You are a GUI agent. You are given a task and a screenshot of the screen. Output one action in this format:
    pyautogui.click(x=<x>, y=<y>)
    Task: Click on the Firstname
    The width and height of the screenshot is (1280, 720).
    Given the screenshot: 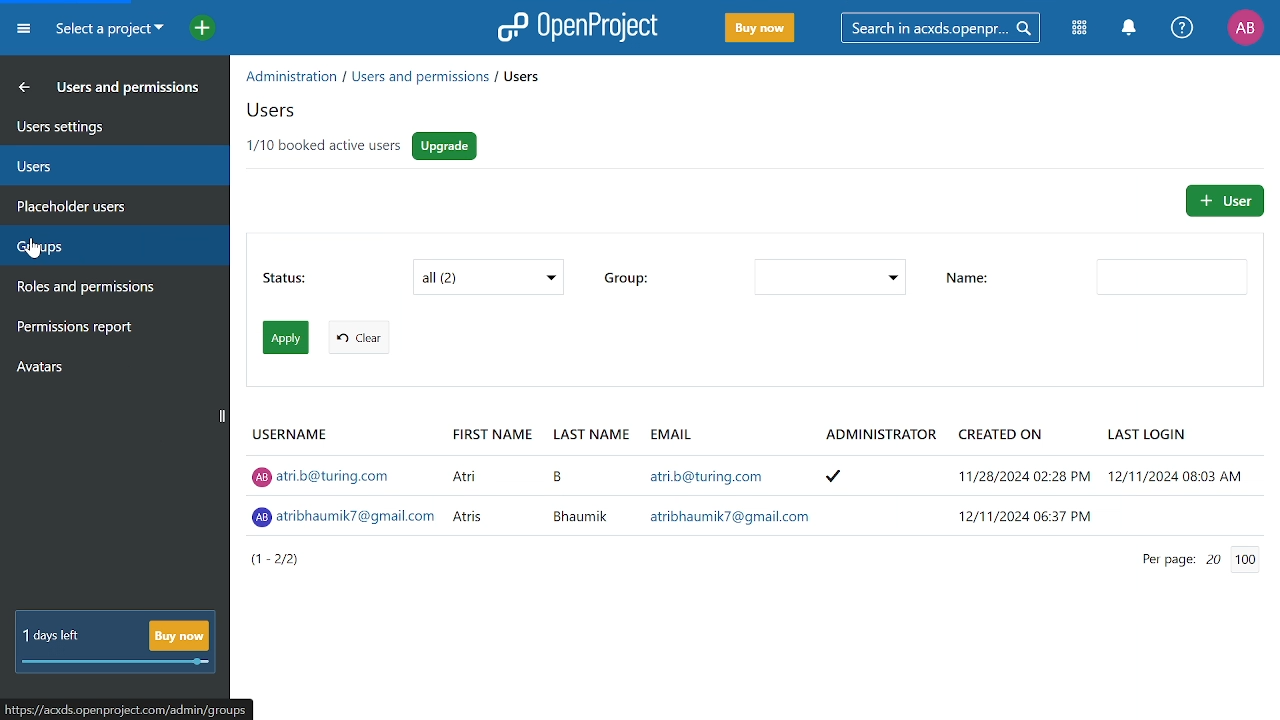 What is the action you would take?
    pyautogui.click(x=493, y=430)
    